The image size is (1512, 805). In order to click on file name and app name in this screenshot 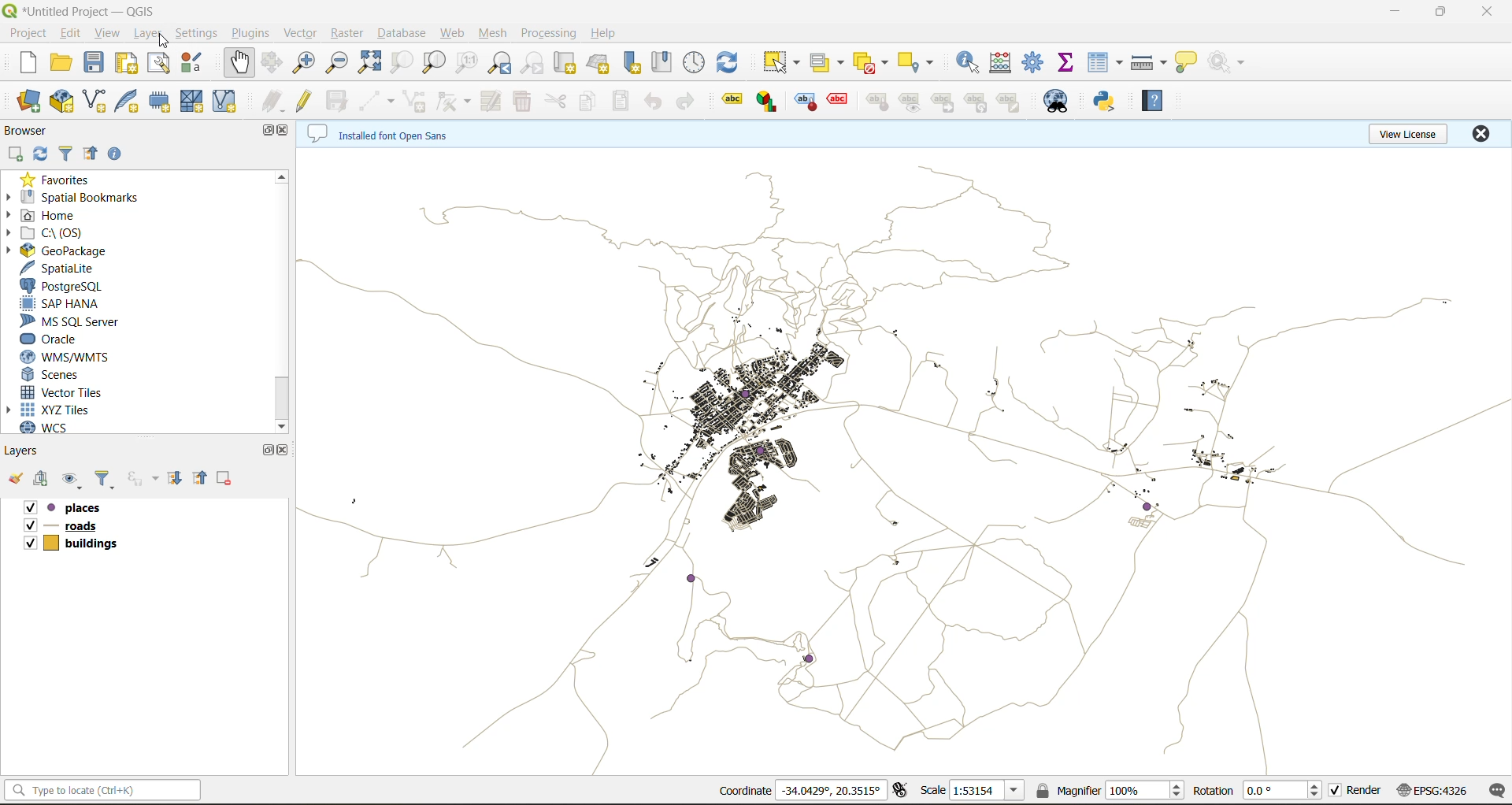, I will do `click(84, 10)`.